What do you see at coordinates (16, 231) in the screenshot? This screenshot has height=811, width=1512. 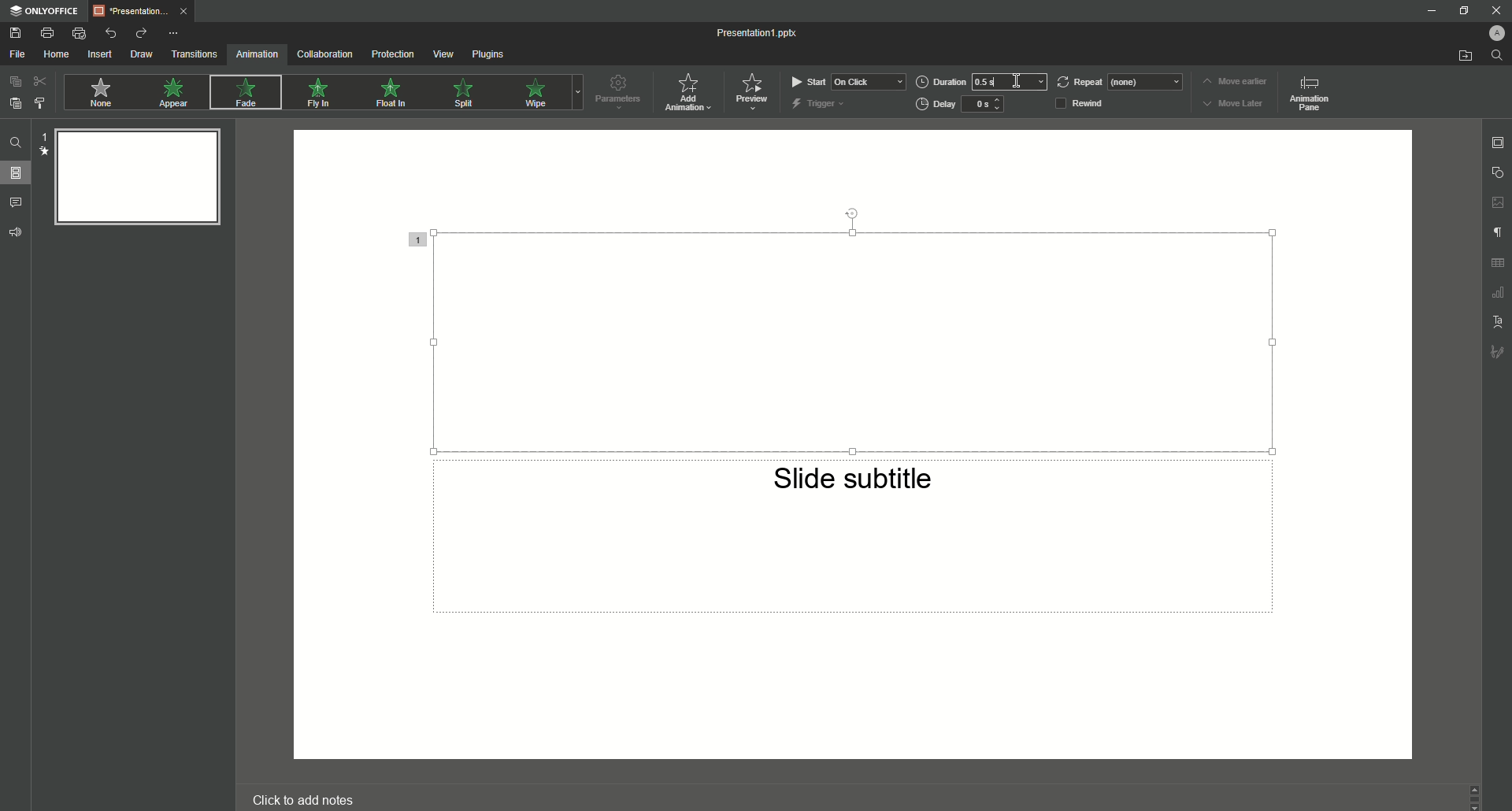 I see `Feedback` at bounding box center [16, 231].